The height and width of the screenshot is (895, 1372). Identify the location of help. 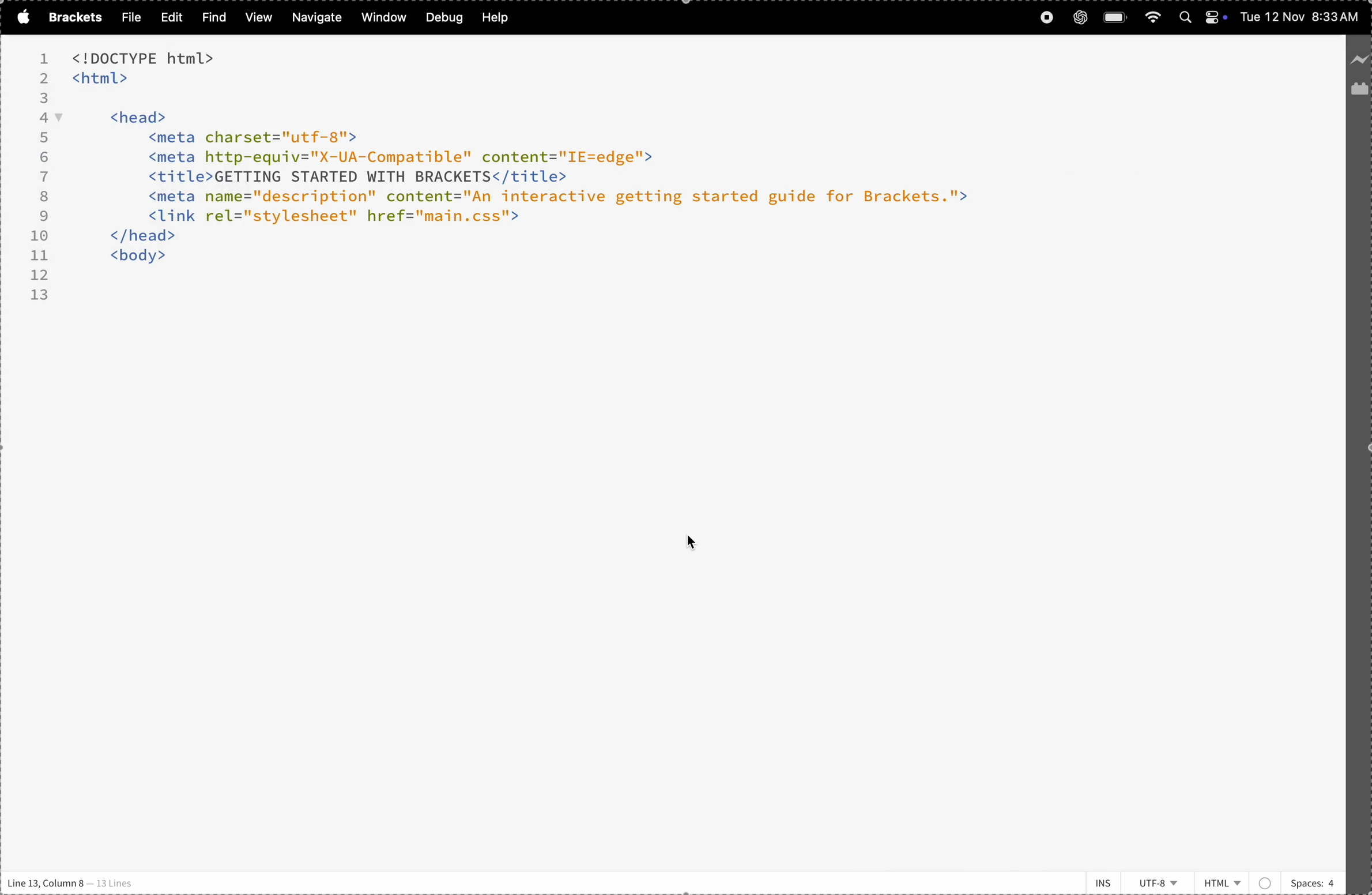
(499, 17).